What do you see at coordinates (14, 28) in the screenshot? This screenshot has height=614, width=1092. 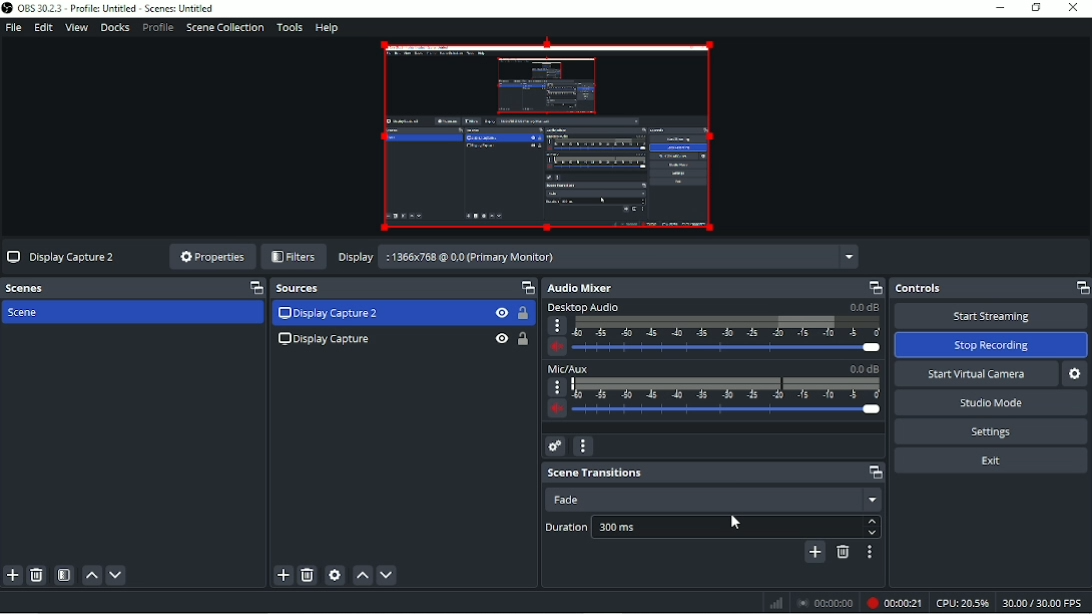 I see `File` at bounding box center [14, 28].